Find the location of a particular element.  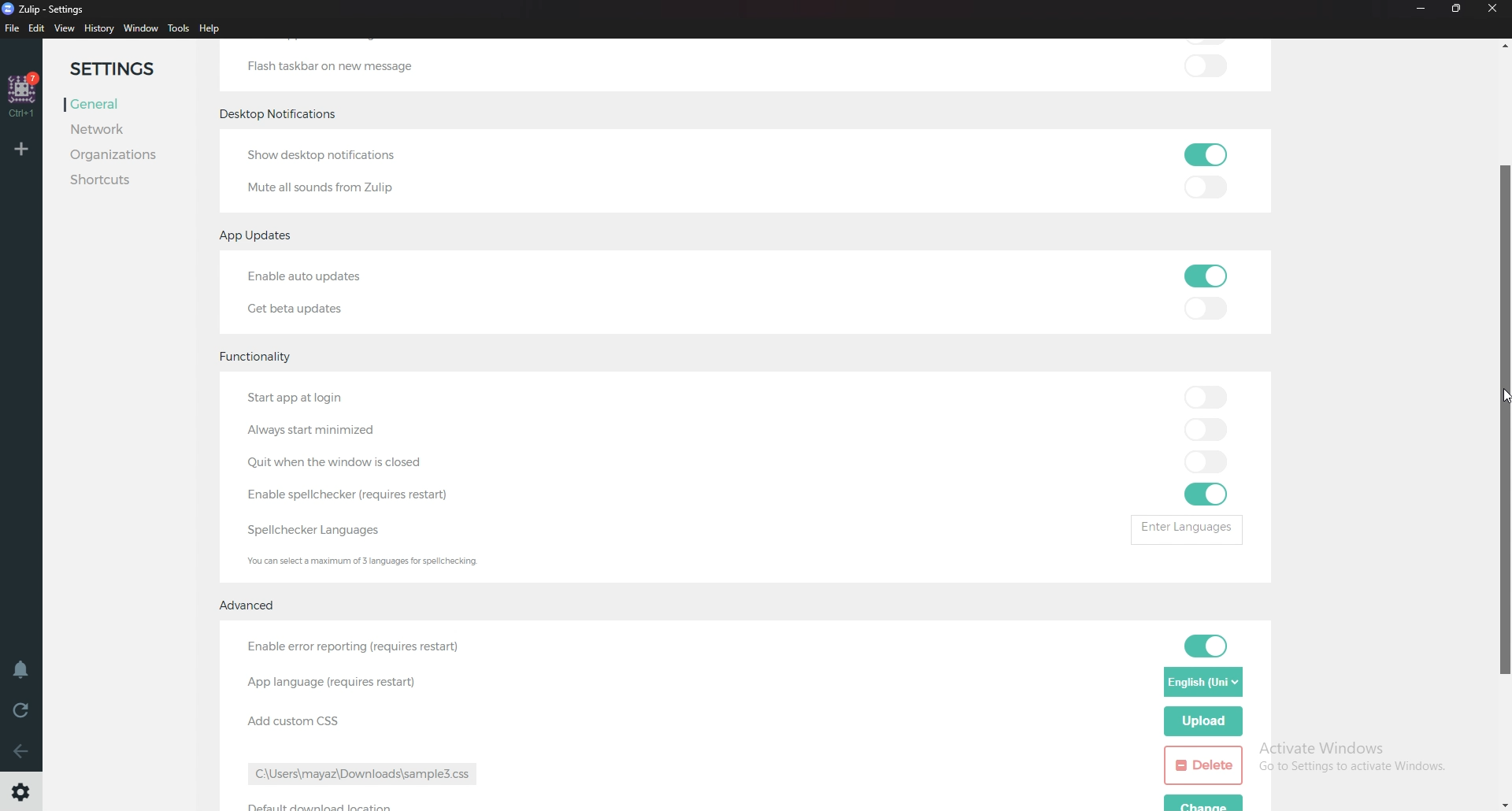

view is located at coordinates (65, 29).